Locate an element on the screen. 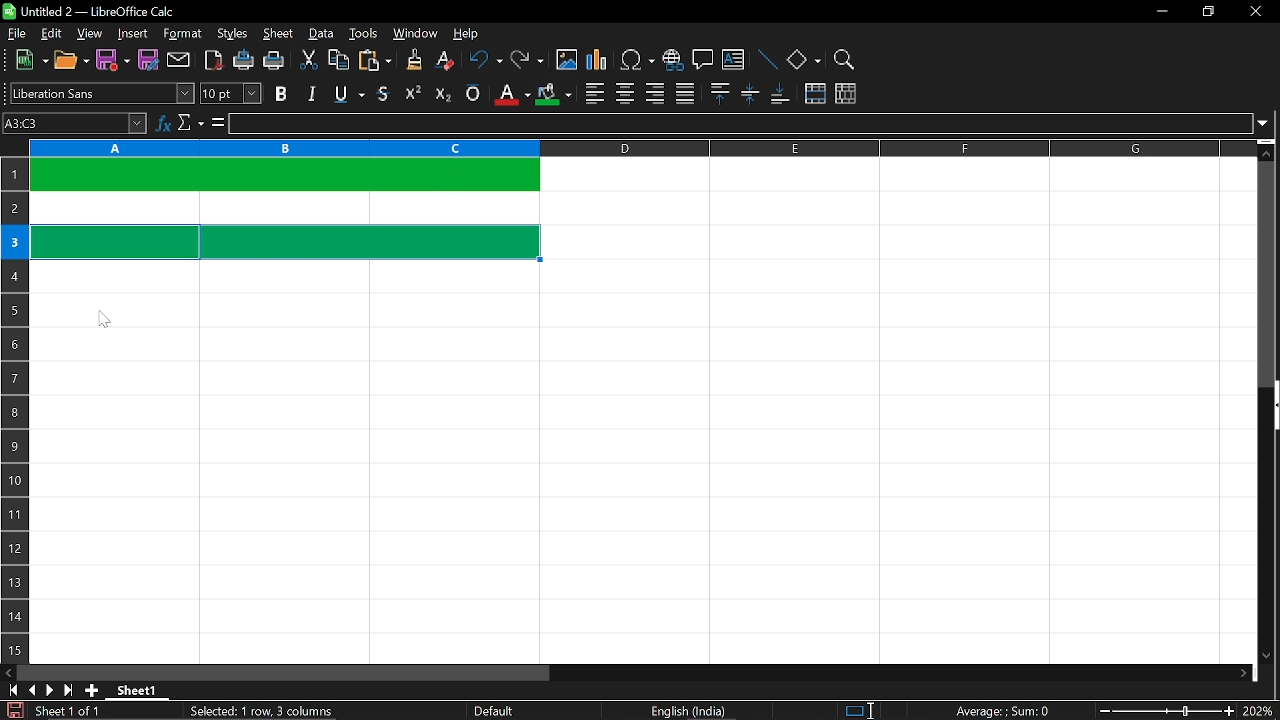 This screenshot has width=1280, height=720. strikethrough is located at coordinates (384, 92).